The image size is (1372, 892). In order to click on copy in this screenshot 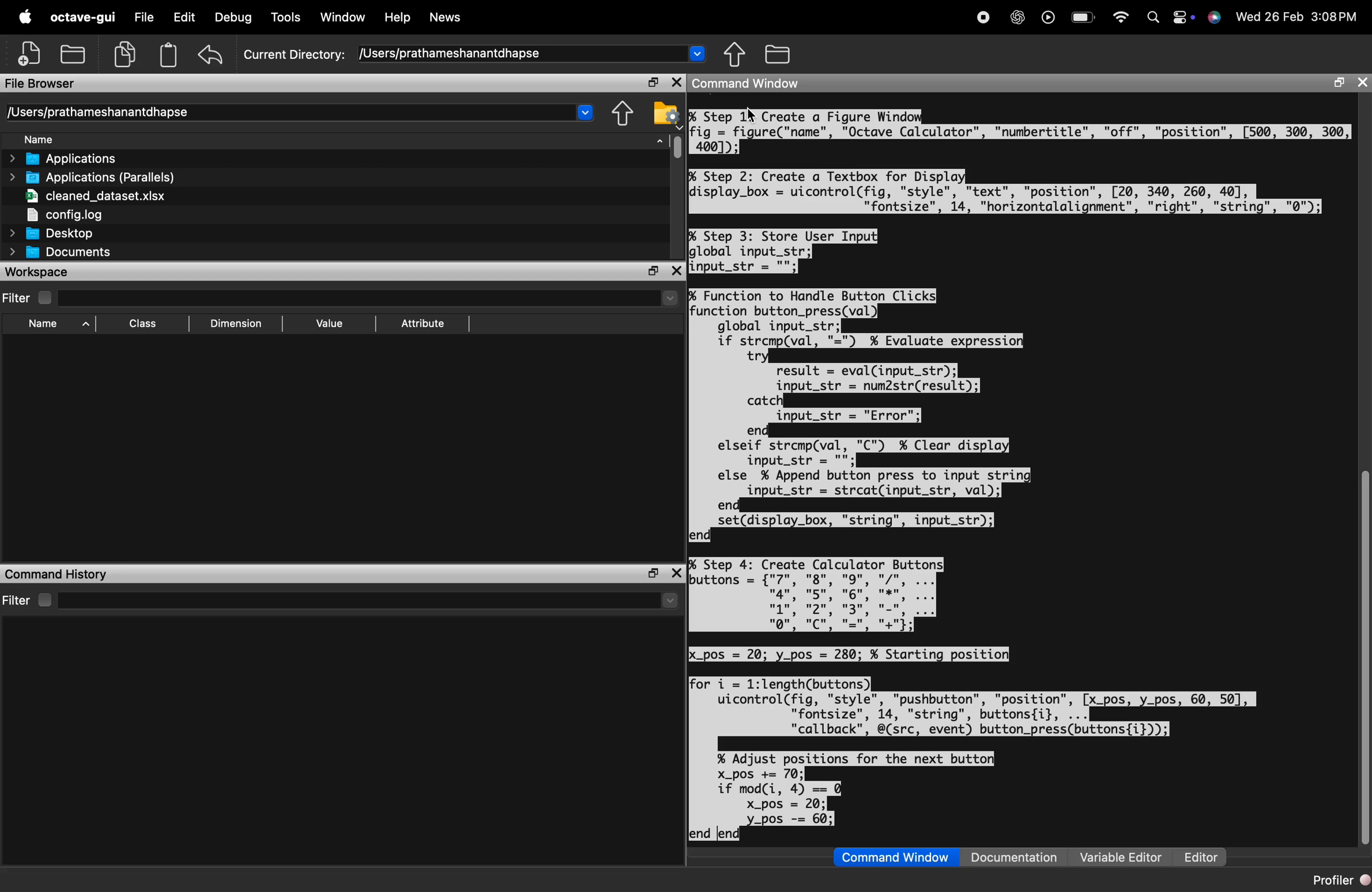, I will do `click(126, 53)`.